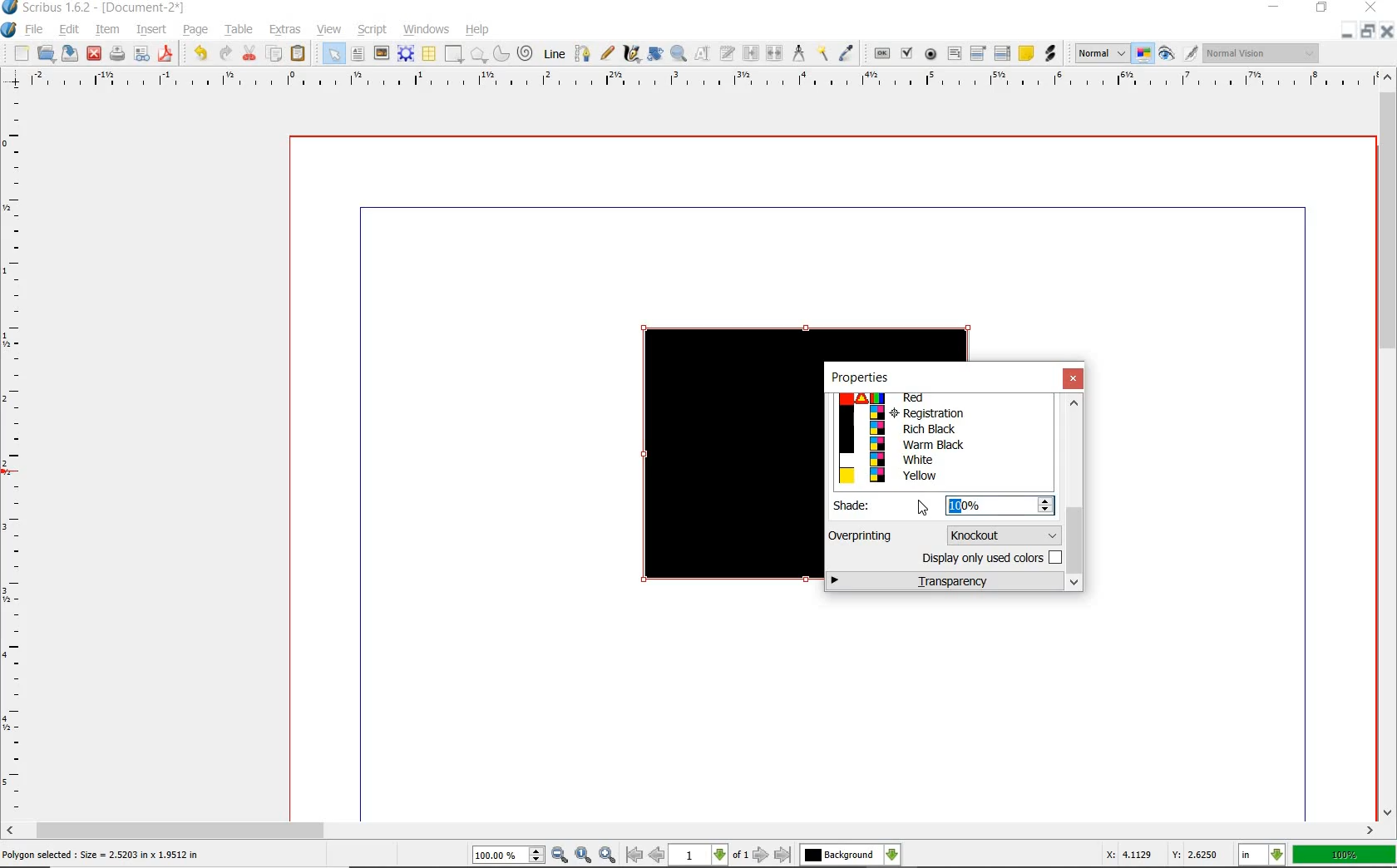 This screenshot has height=868, width=1397. Describe the element at coordinates (941, 430) in the screenshot. I see `Rich Black` at that location.